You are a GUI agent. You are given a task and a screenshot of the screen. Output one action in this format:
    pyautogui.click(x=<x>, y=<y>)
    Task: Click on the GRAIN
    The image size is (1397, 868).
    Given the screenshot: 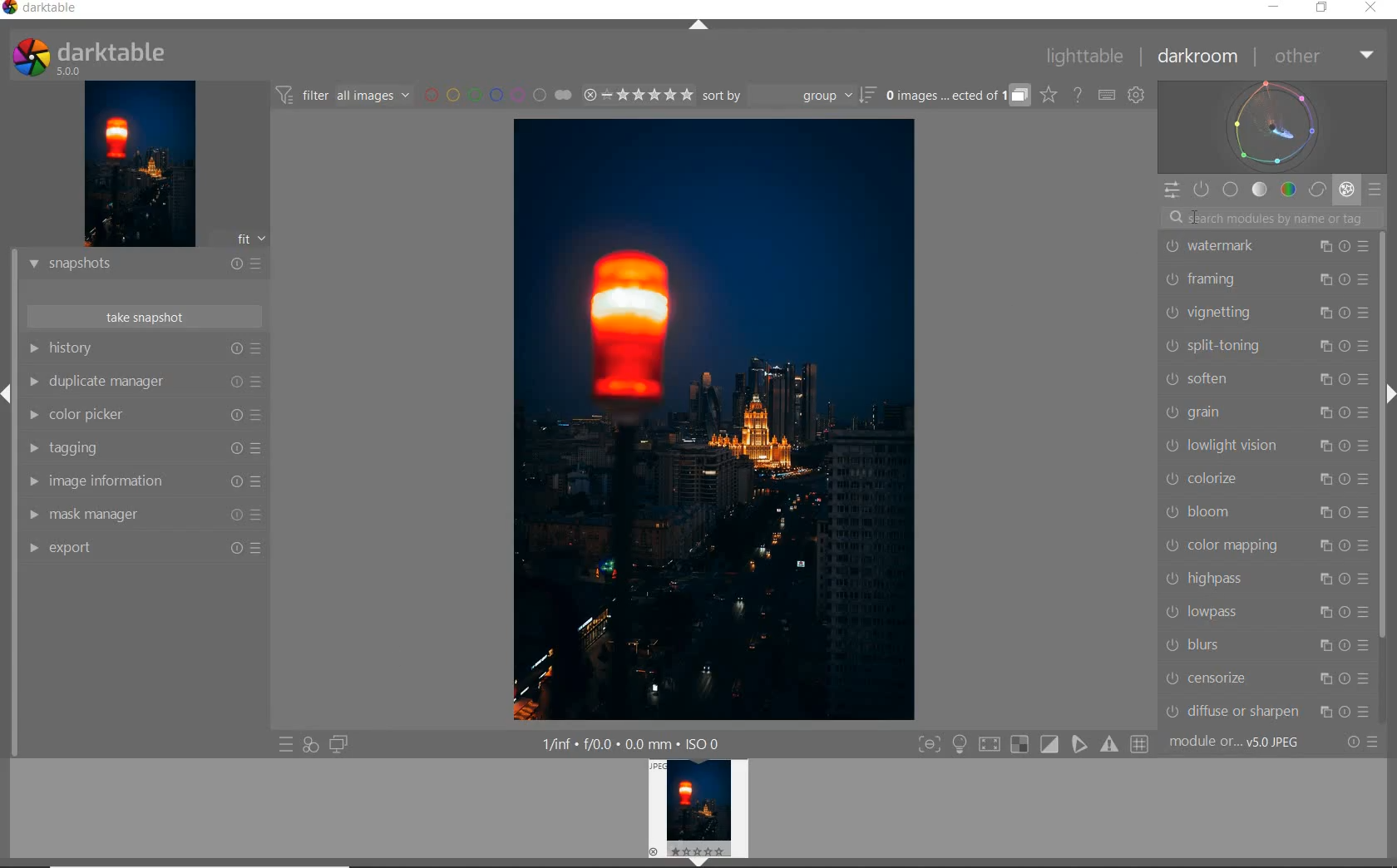 What is the action you would take?
    pyautogui.click(x=1218, y=411)
    